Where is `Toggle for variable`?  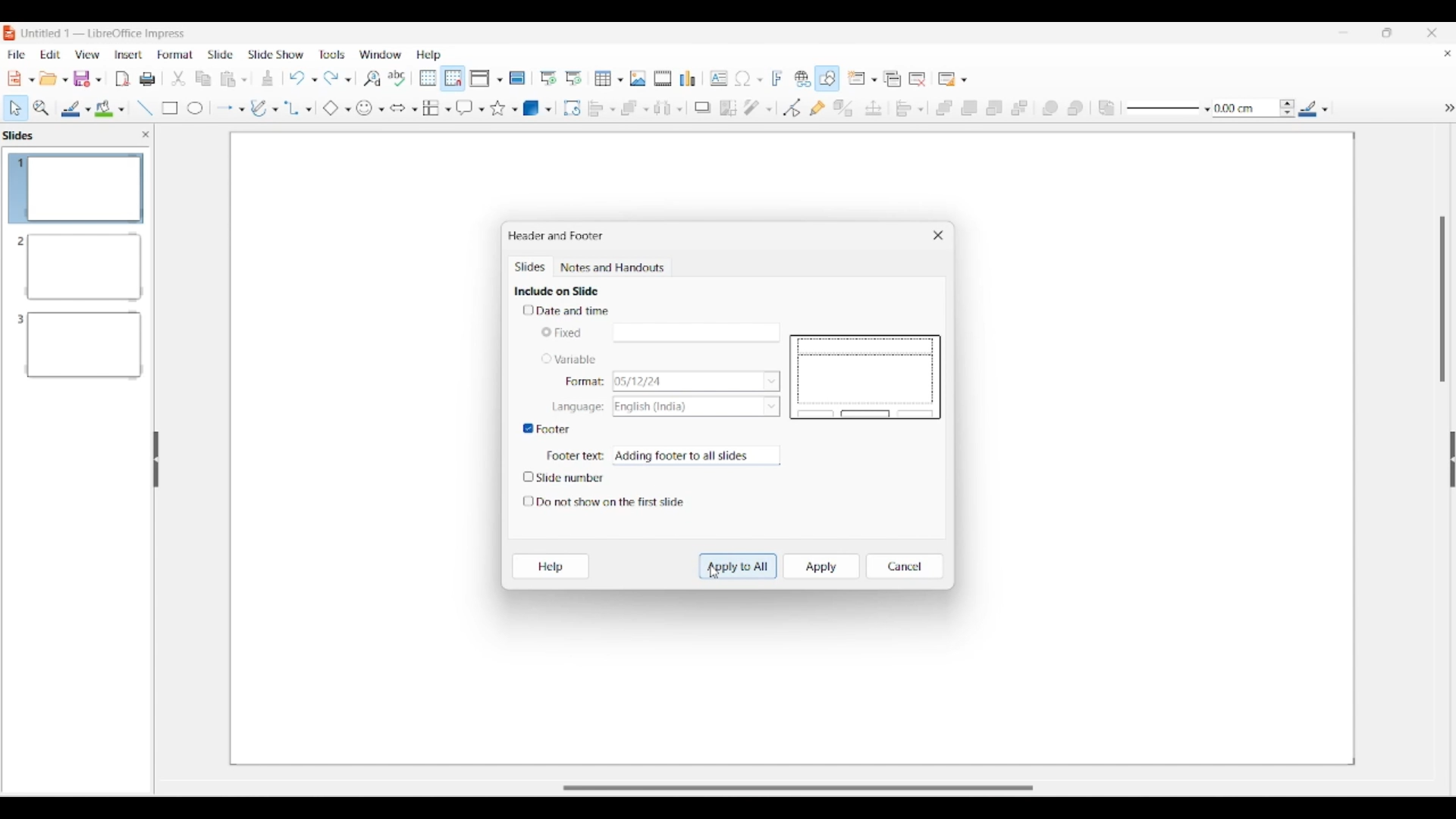
Toggle for variable is located at coordinates (567, 358).